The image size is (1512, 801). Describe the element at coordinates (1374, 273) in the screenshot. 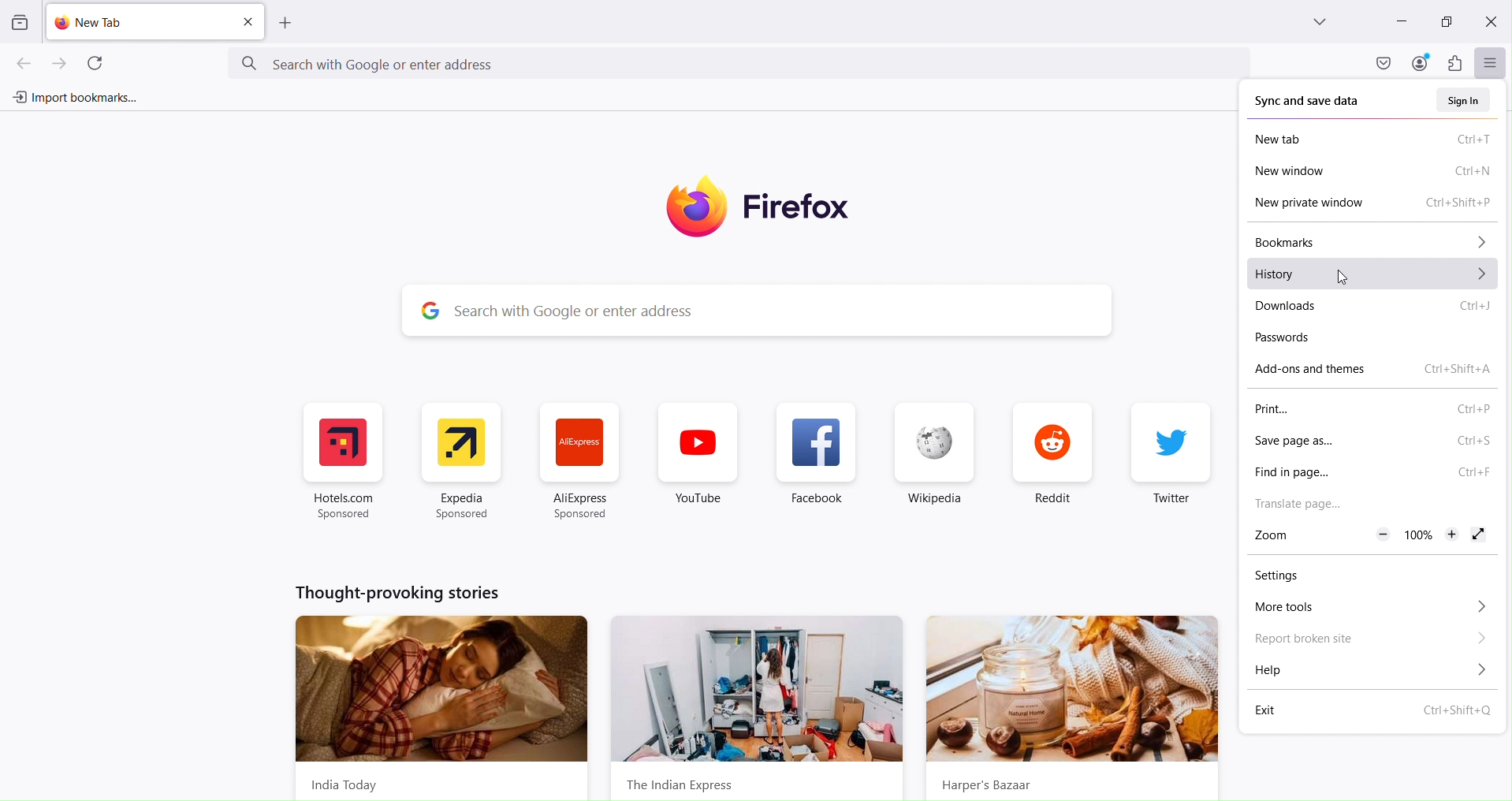

I see `History` at that location.